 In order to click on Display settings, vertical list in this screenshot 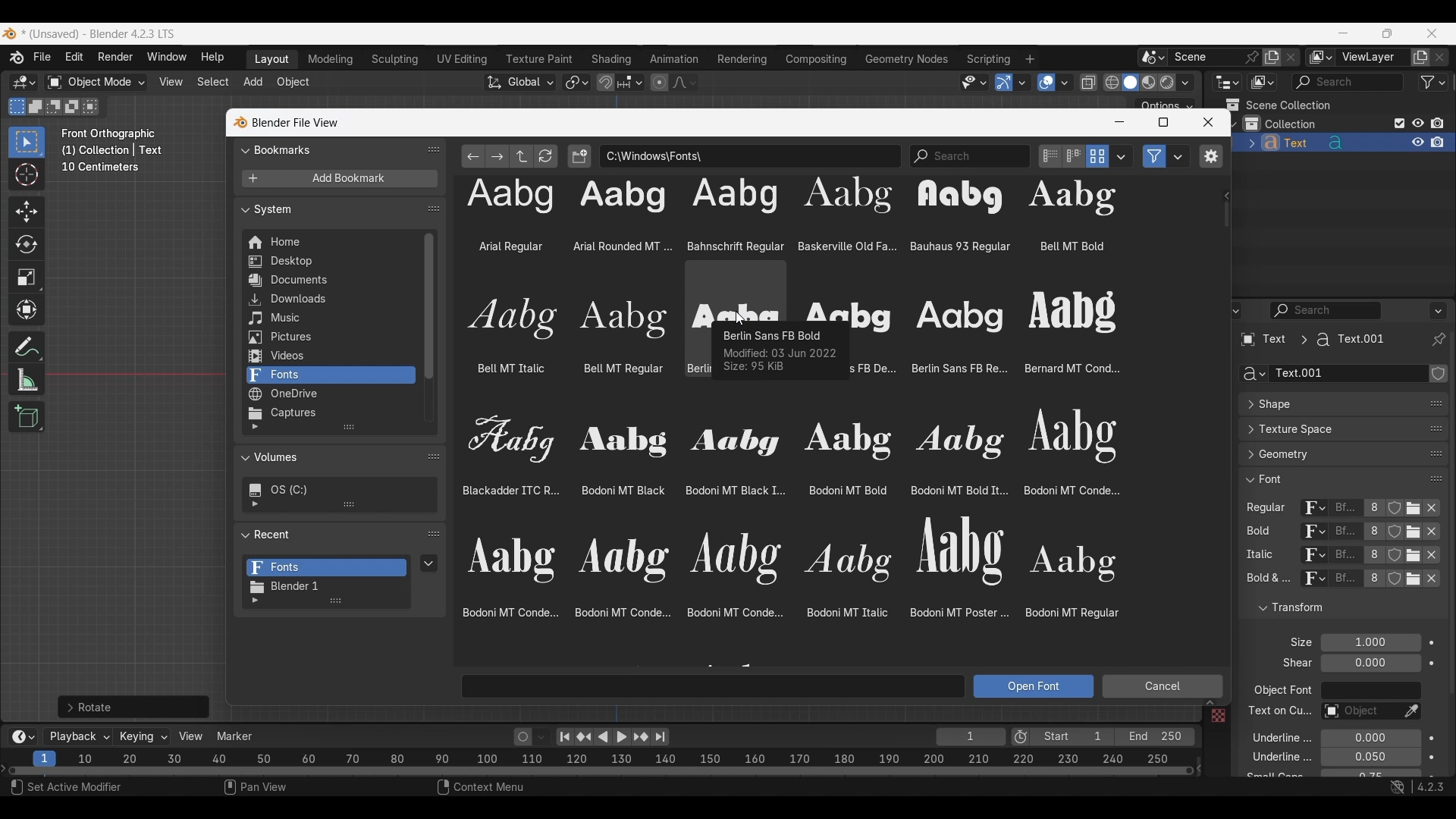, I will do `click(1050, 156)`.